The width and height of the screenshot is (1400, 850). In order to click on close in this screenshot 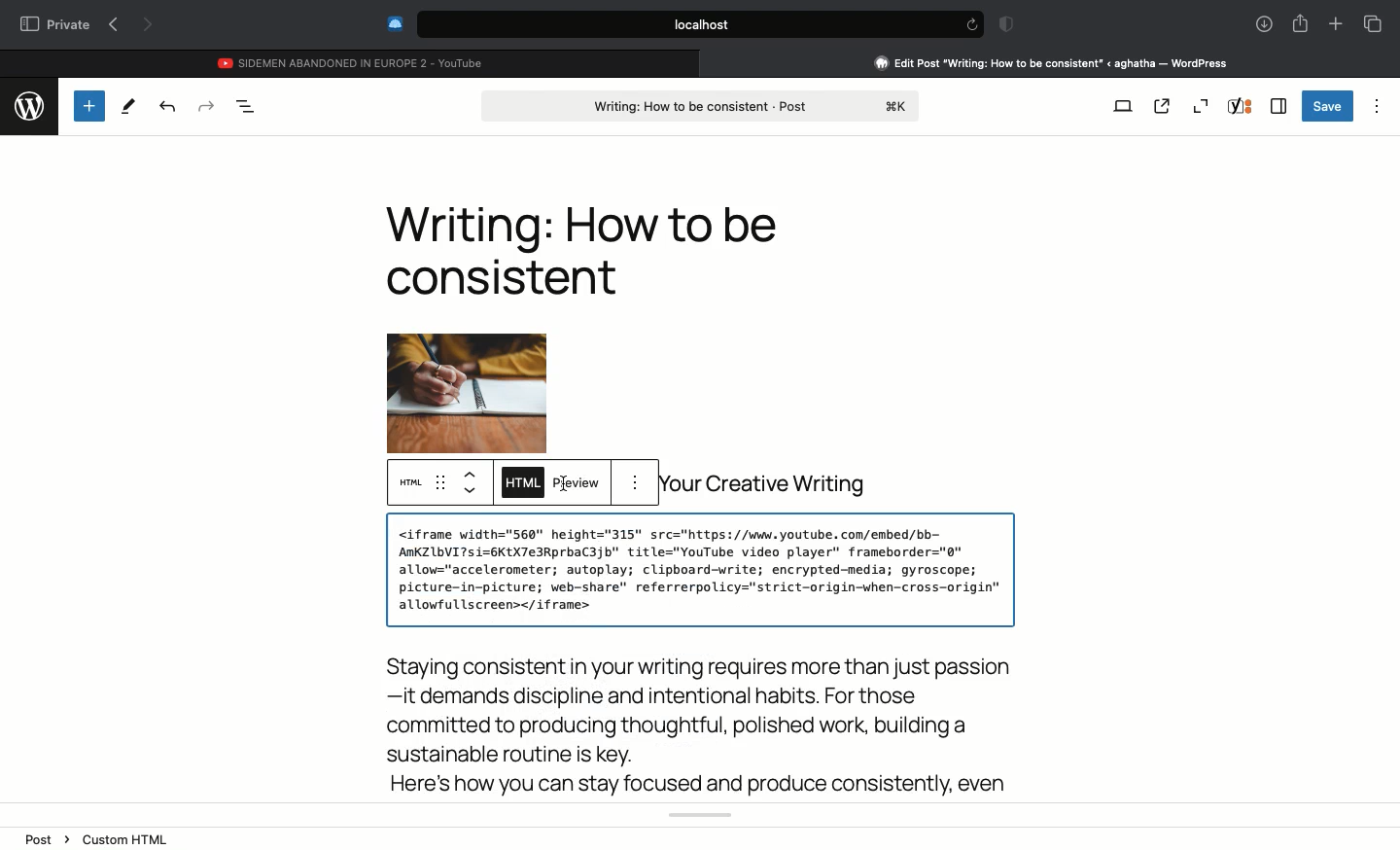, I will do `click(709, 62)`.